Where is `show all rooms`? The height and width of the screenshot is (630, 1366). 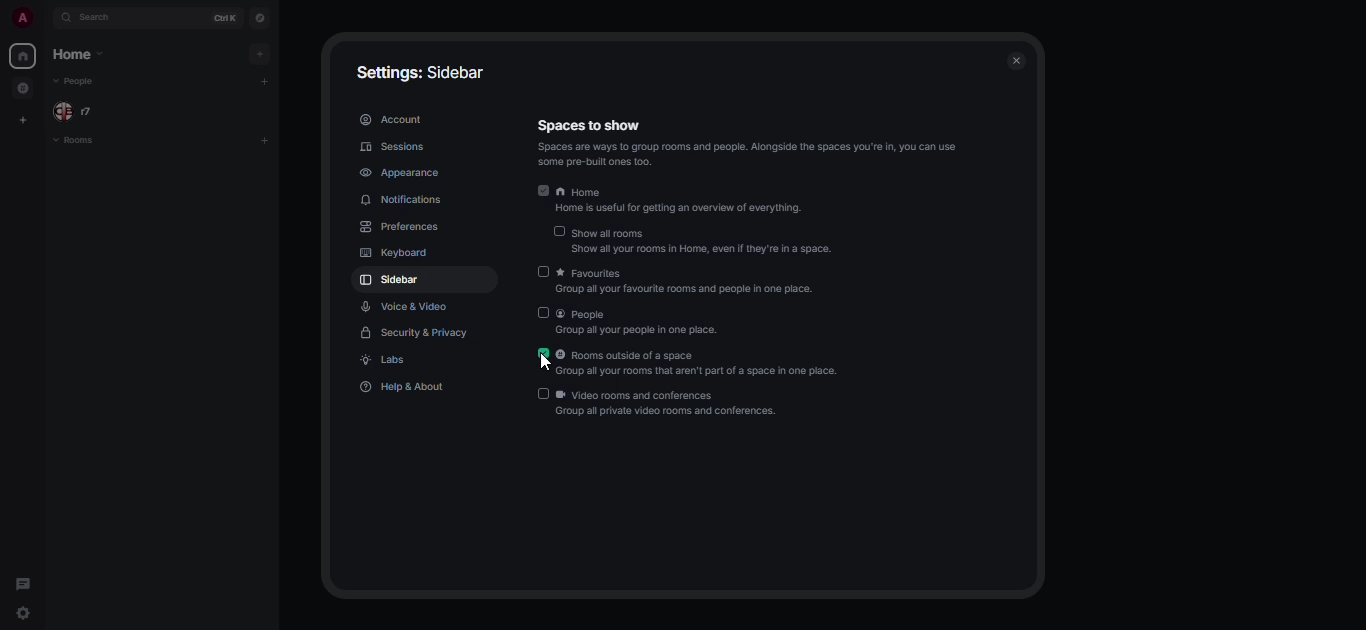 show all rooms is located at coordinates (704, 233).